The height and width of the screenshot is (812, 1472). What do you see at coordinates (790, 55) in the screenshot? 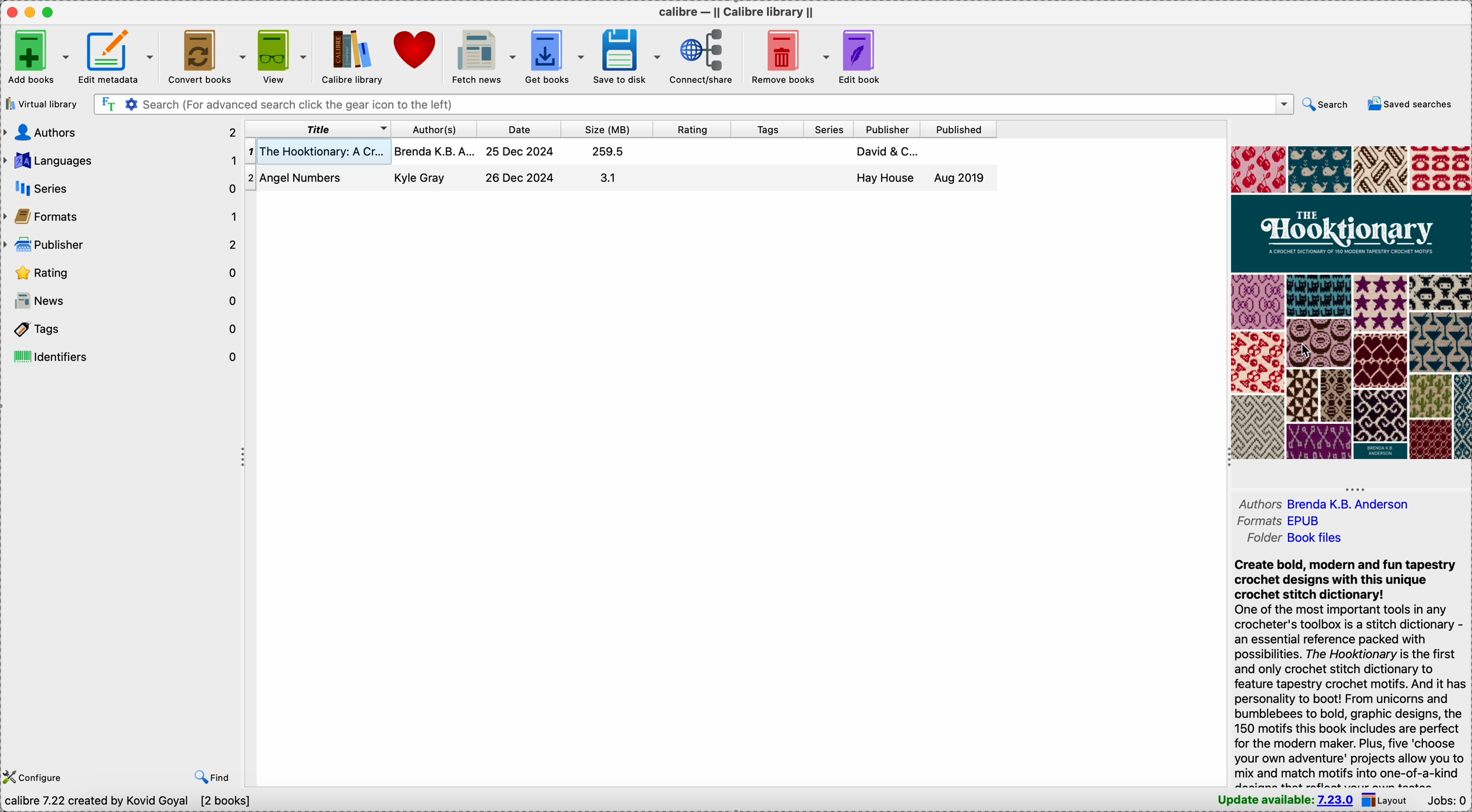
I see `remove books` at bounding box center [790, 55].